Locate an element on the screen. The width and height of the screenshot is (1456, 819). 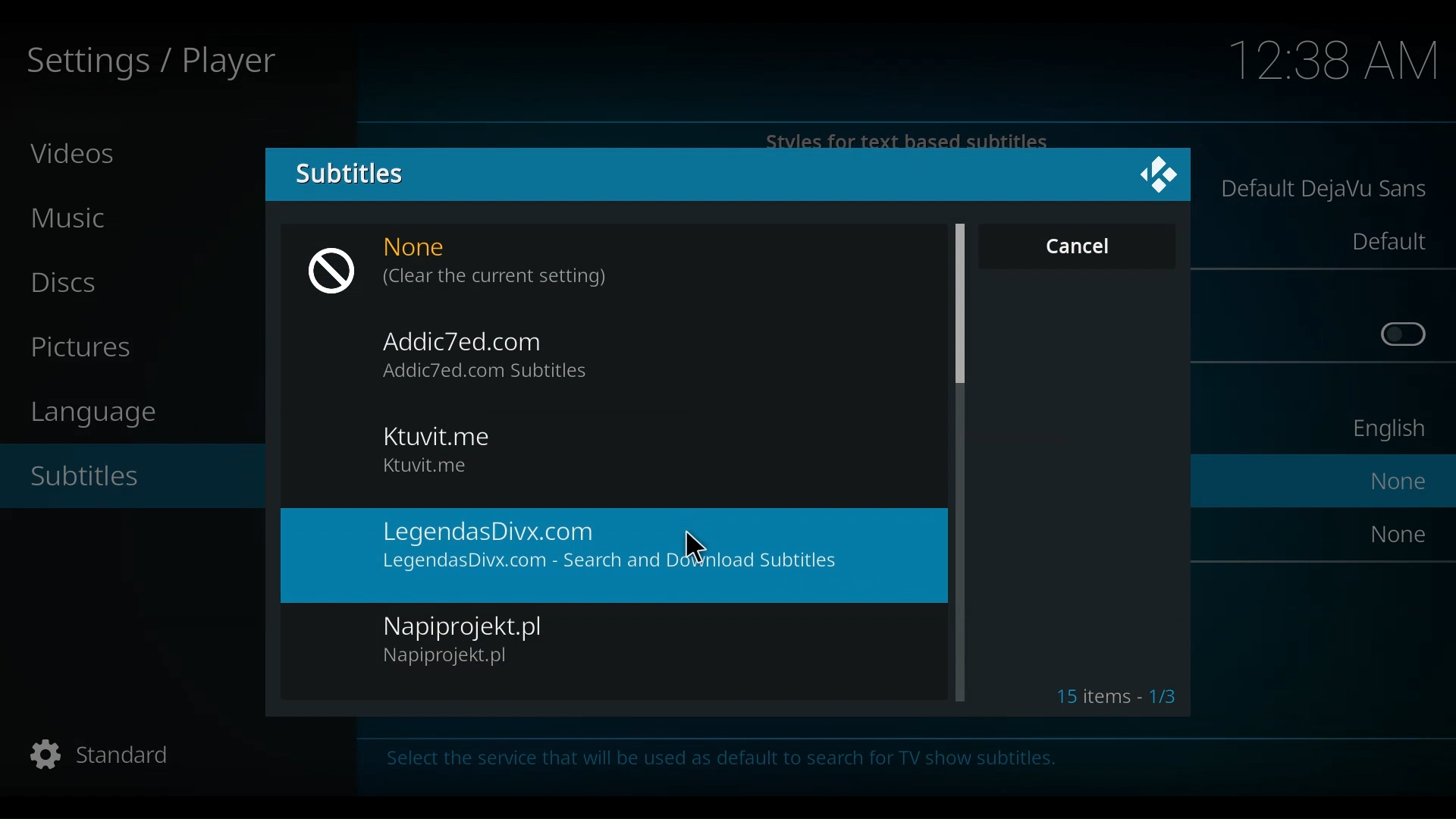
Styles for text based subtitles is located at coordinates (911, 140).